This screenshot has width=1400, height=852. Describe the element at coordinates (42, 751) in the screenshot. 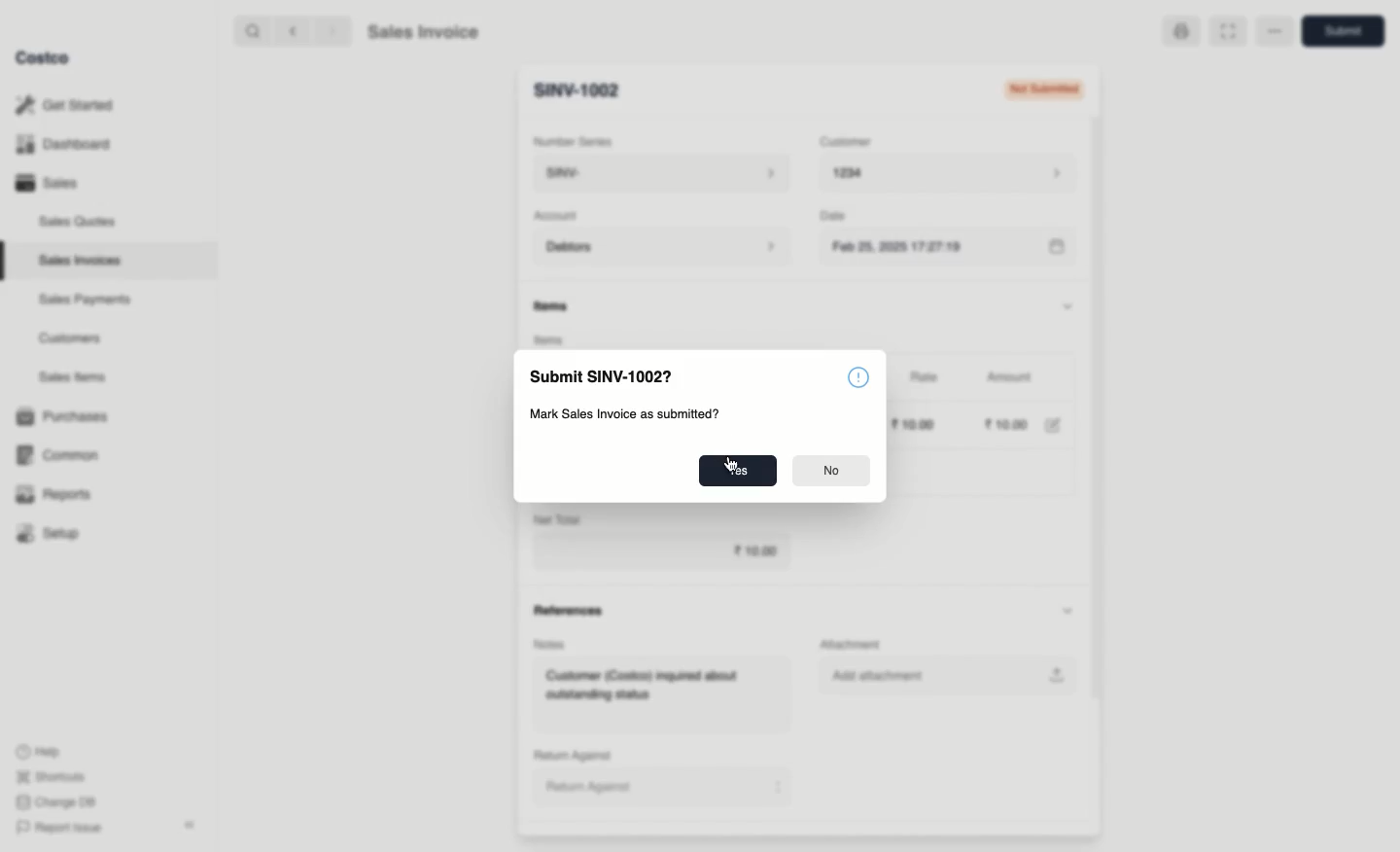

I see `Help` at that location.